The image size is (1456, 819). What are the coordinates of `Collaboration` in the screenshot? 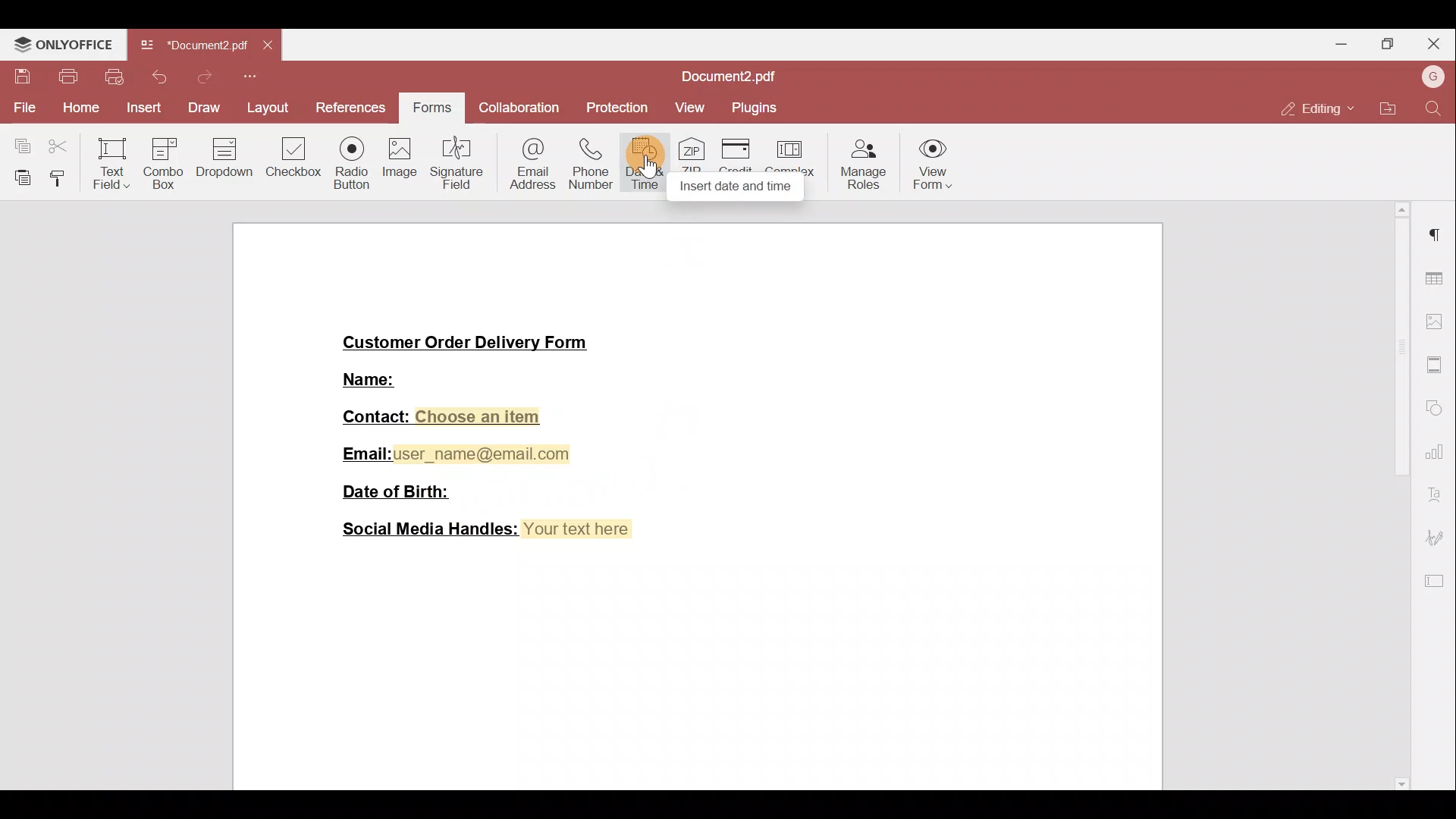 It's located at (516, 109).